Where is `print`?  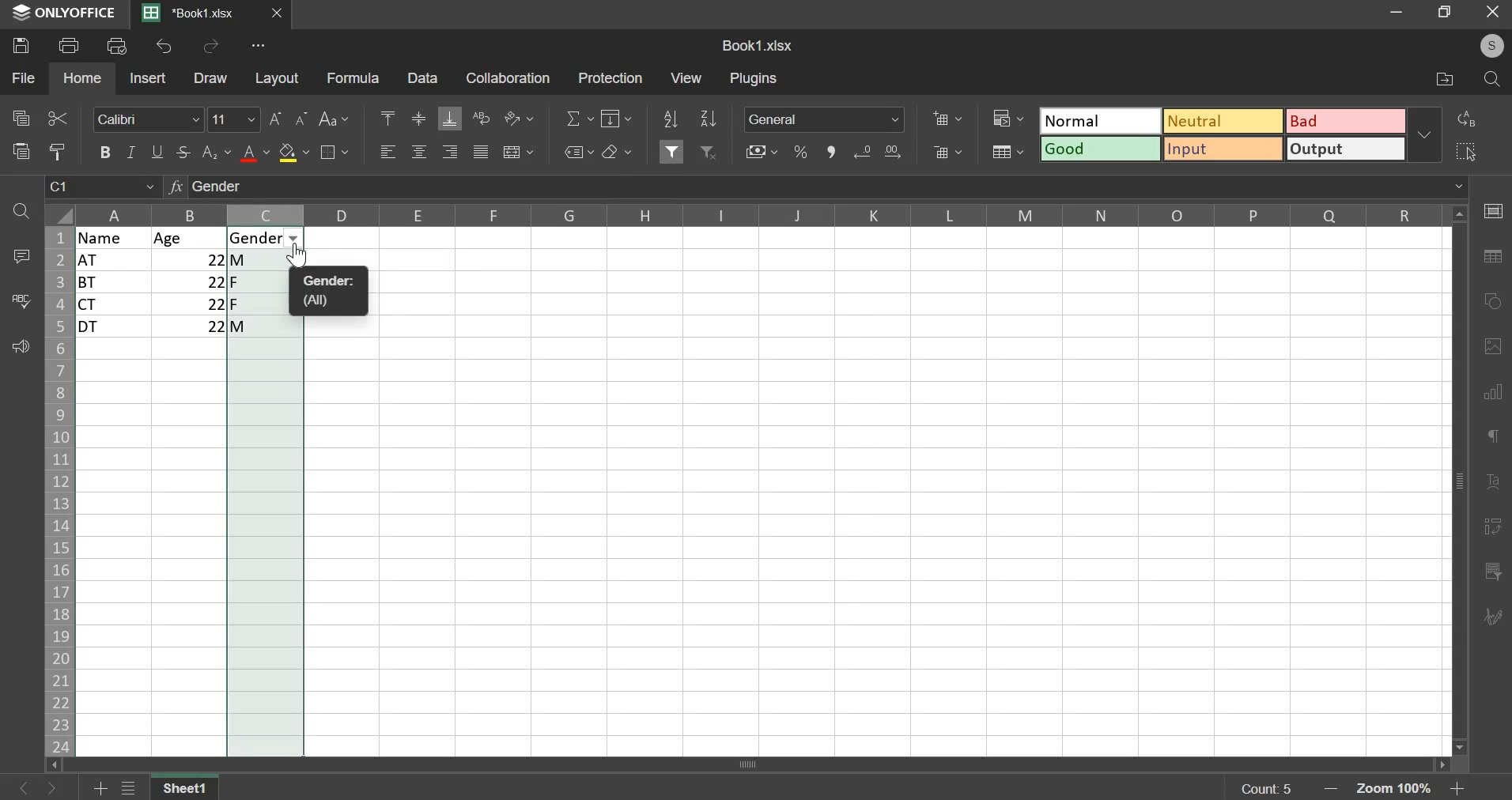
print is located at coordinates (69, 44).